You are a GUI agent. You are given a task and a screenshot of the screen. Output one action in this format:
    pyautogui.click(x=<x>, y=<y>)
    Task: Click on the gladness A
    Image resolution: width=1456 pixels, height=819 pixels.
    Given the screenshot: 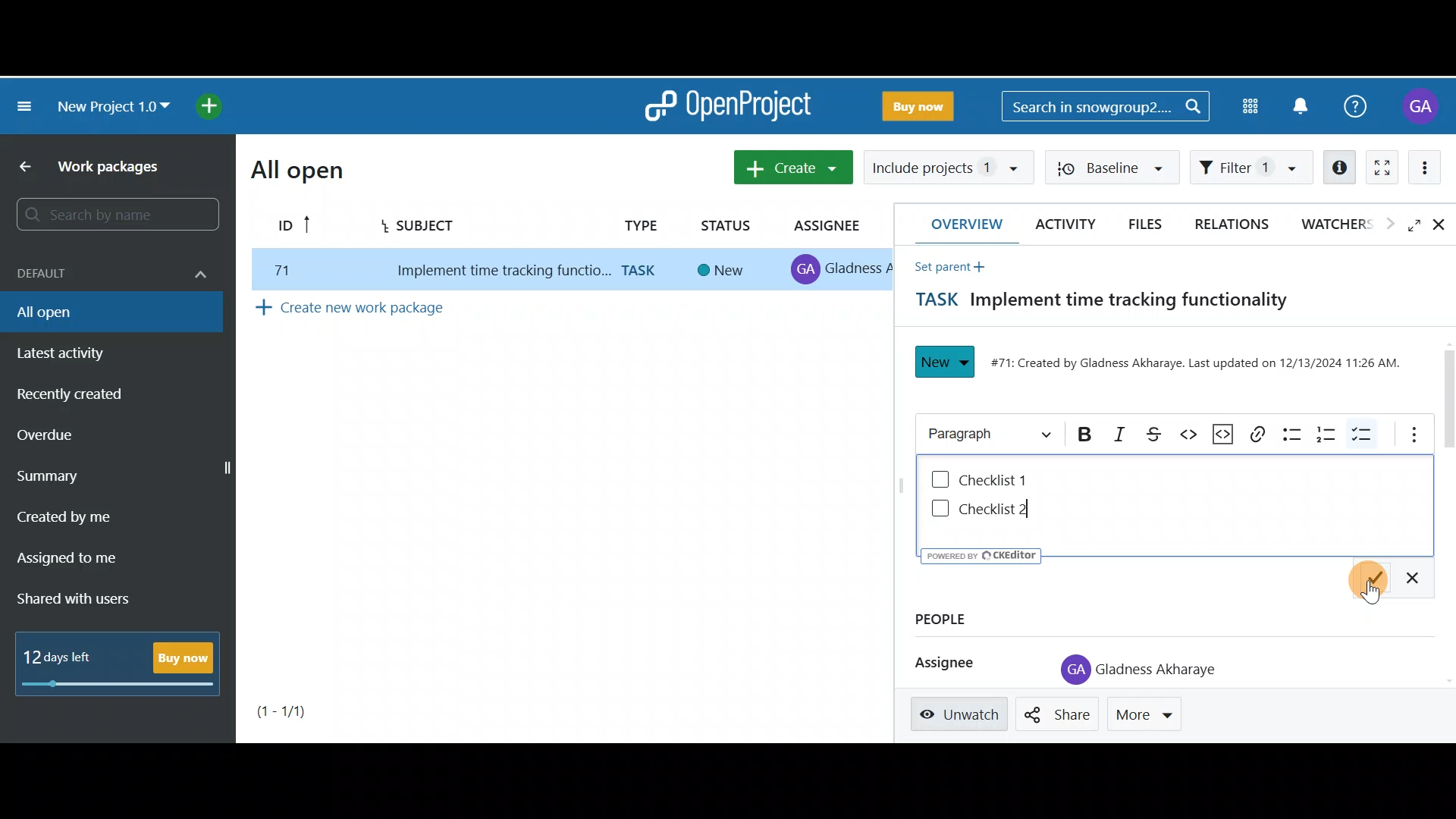 What is the action you would take?
    pyautogui.click(x=860, y=268)
    